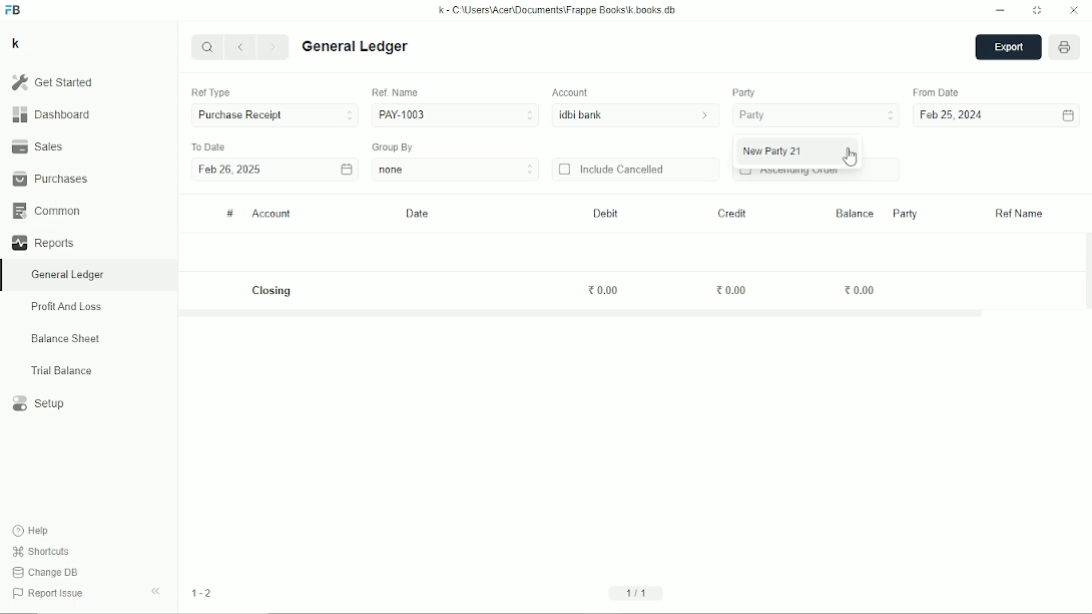 The height and width of the screenshot is (614, 1092). What do you see at coordinates (156, 592) in the screenshot?
I see `Hide sidebar` at bounding box center [156, 592].